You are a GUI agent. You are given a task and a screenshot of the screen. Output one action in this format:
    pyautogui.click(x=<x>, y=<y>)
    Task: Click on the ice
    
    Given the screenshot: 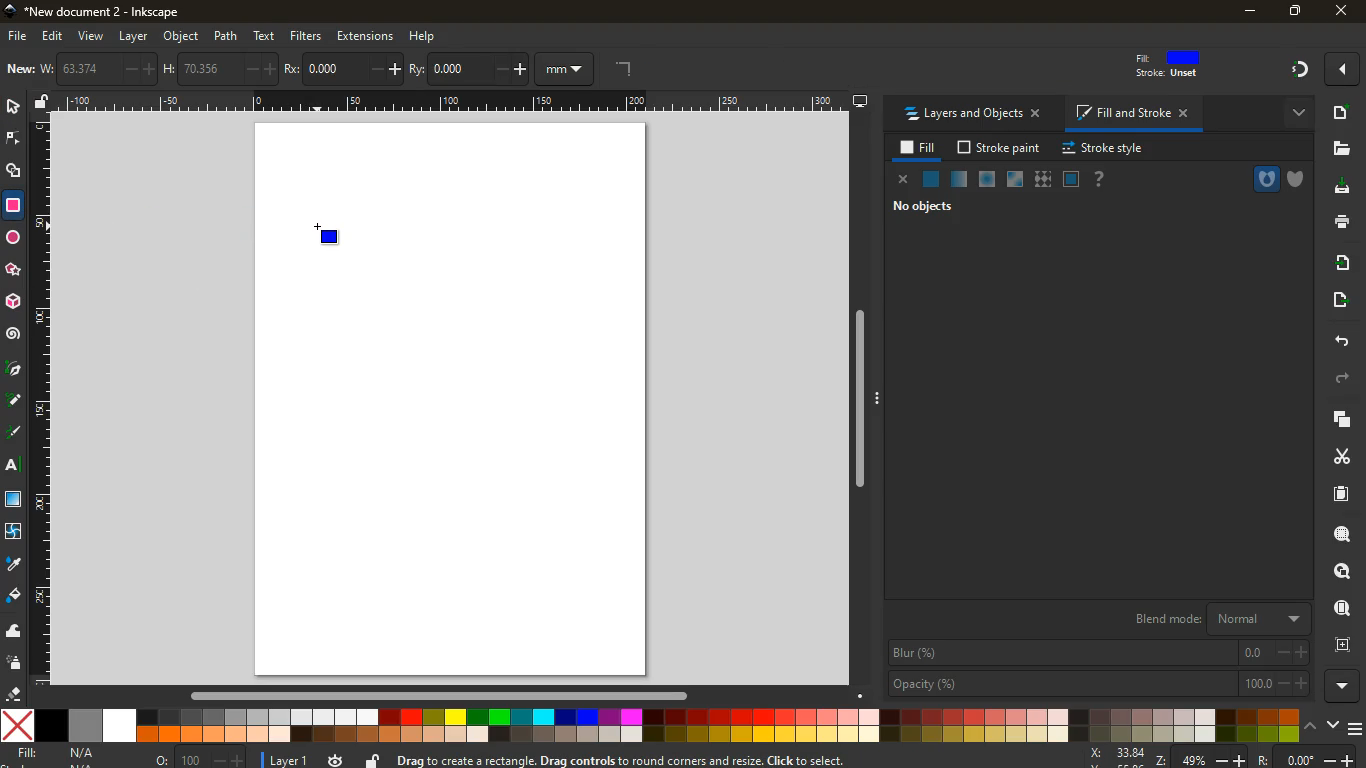 What is the action you would take?
    pyautogui.click(x=987, y=178)
    